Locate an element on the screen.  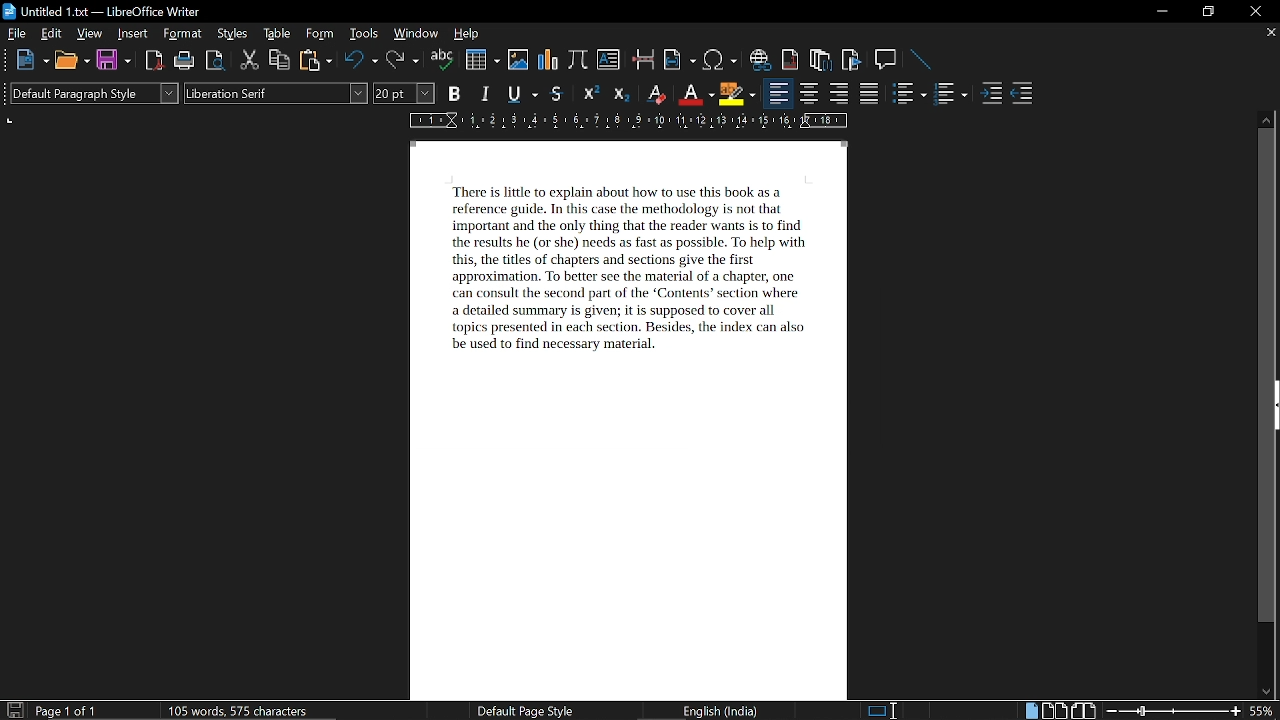
close is located at coordinates (1257, 11).